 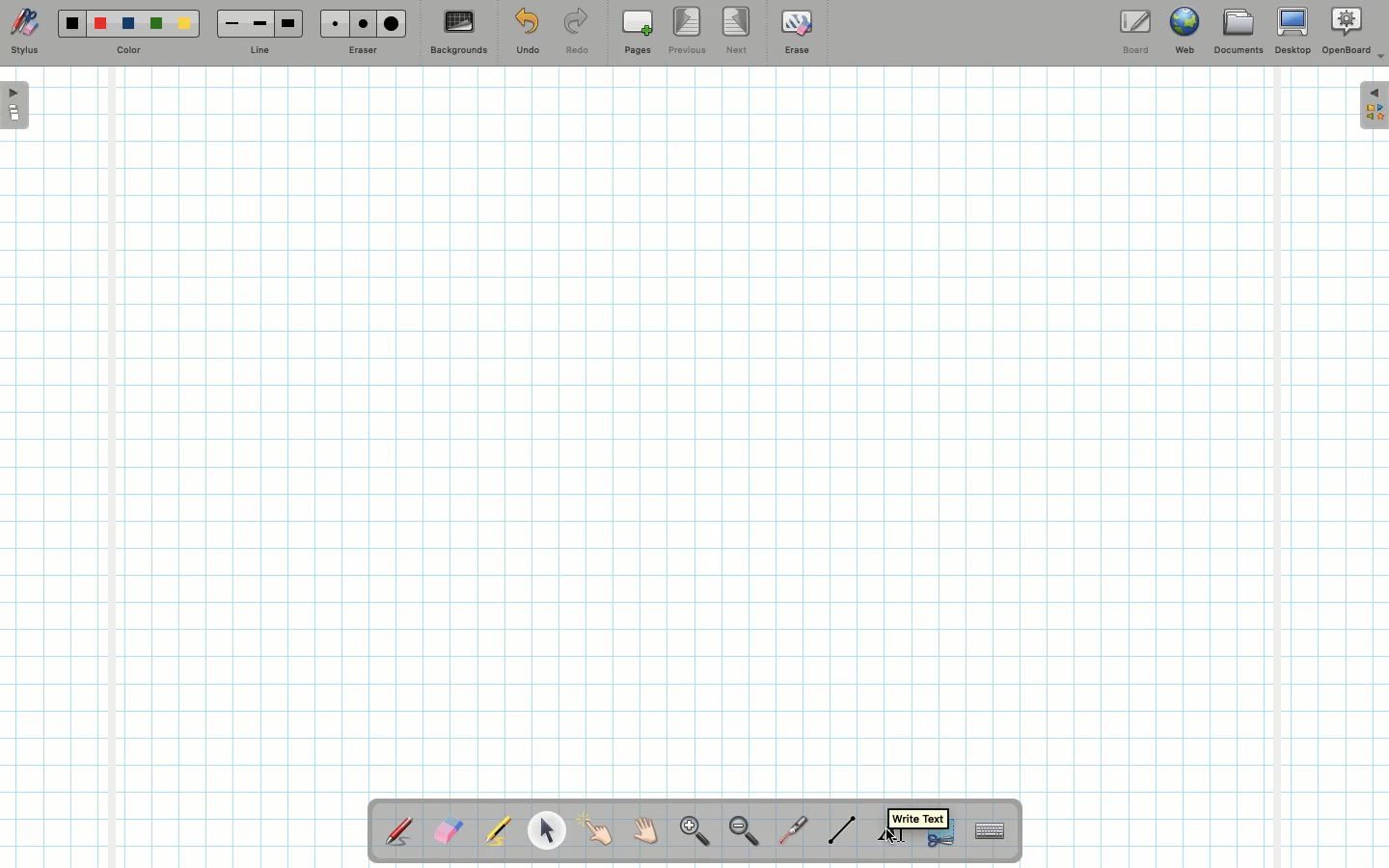 What do you see at coordinates (1374, 105) in the screenshot?
I see `Expand` at bounding box center [1374, 105].